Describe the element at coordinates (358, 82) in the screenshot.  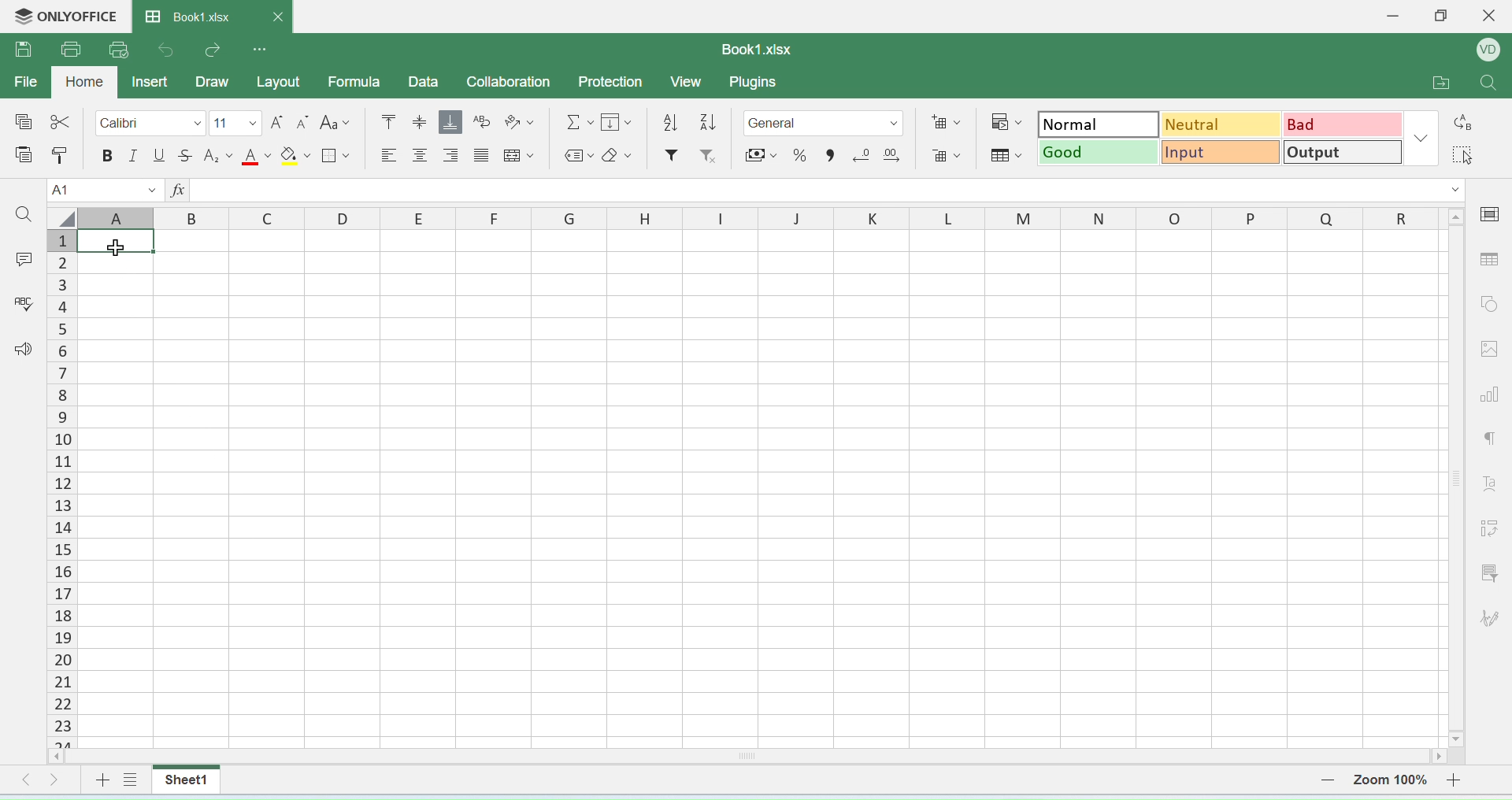
I see `formula` at that location.